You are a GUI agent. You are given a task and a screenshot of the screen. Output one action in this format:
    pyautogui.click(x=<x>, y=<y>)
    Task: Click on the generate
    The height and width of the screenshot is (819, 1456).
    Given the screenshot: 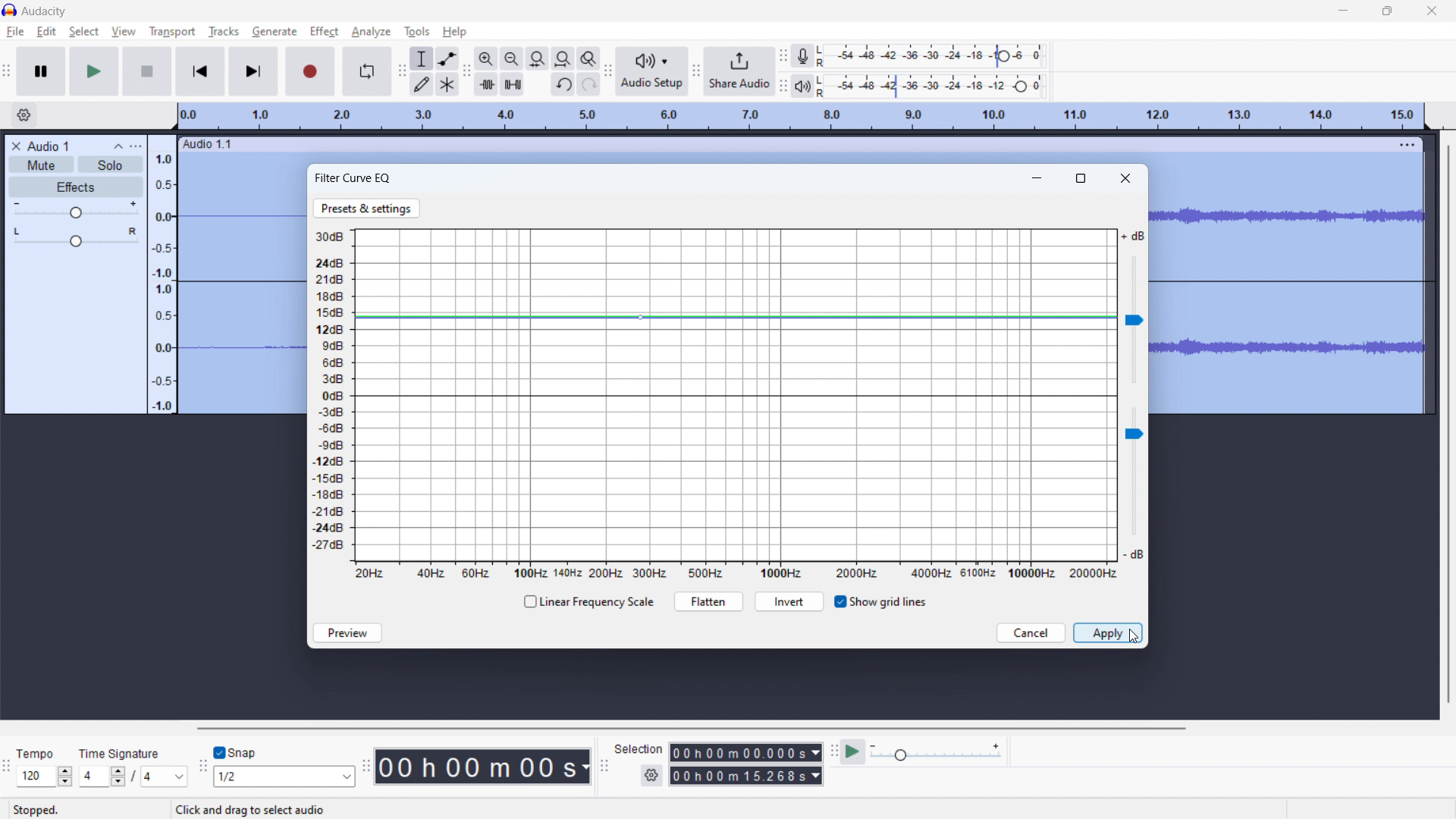 What is the action you would take?
    pyautogui.click(x=275, y=31)
    